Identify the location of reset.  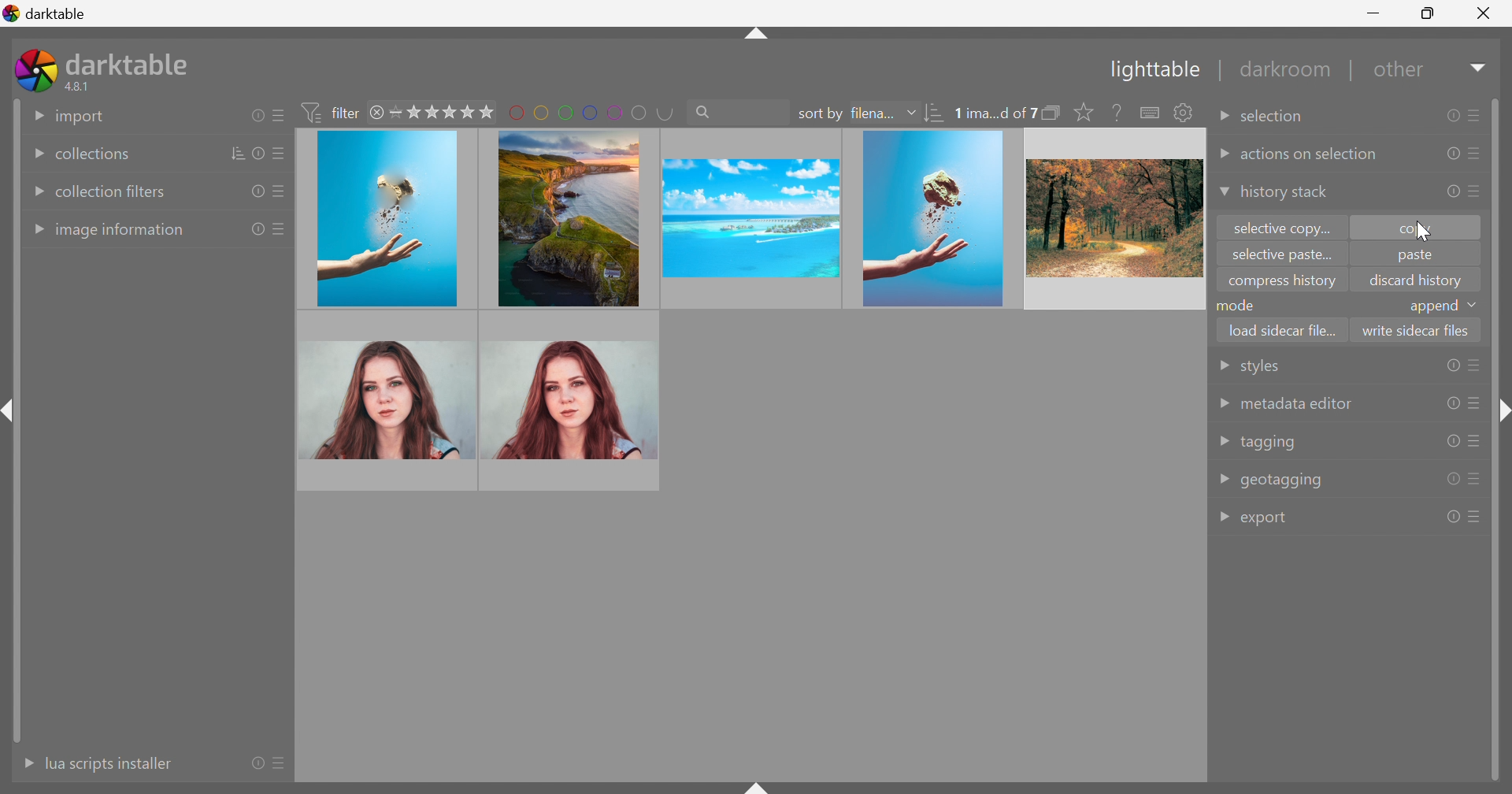
(1449, 153).